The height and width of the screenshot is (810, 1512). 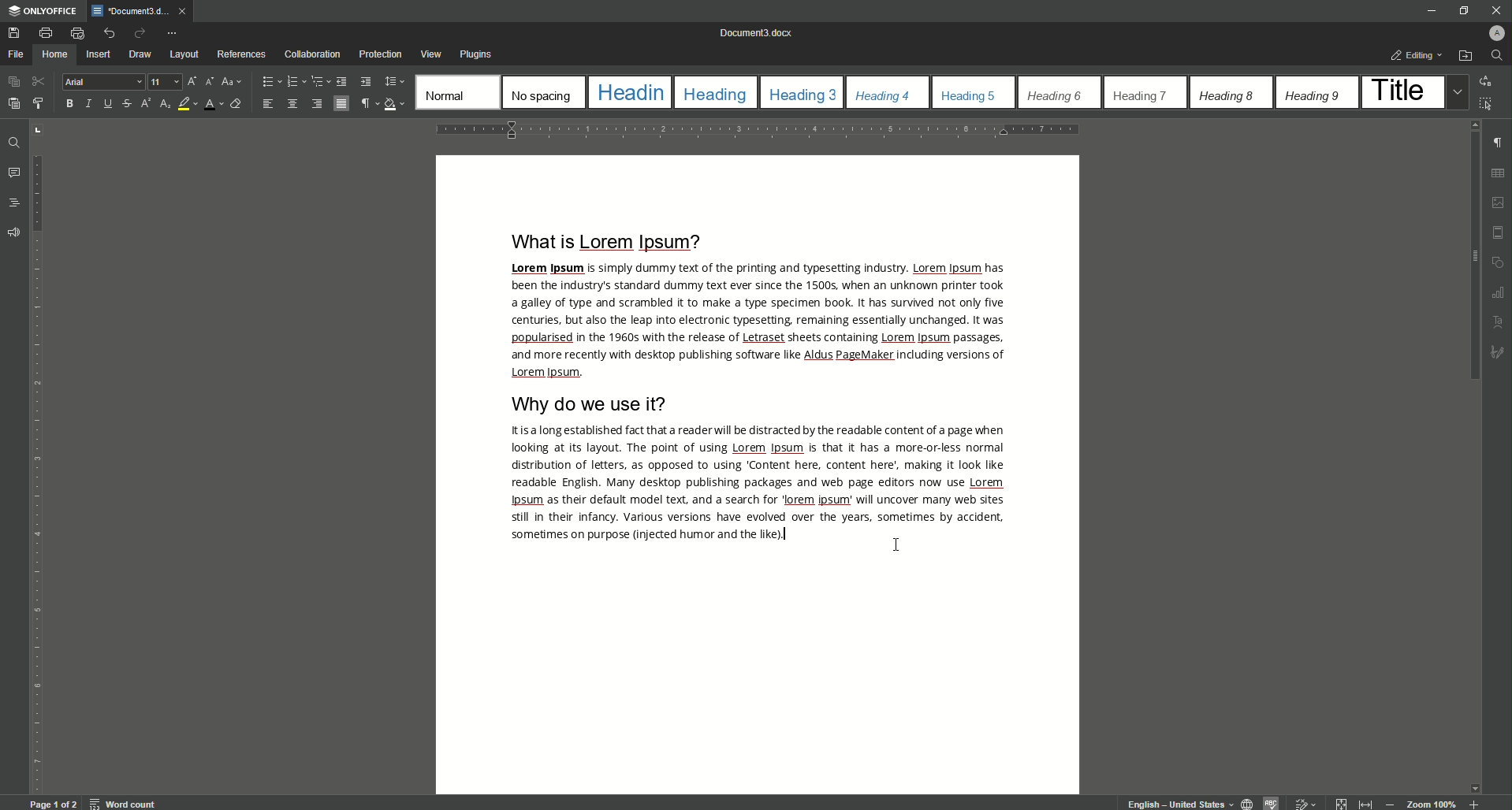 I want to click on Zoom in, so click(x=1473, y=802).